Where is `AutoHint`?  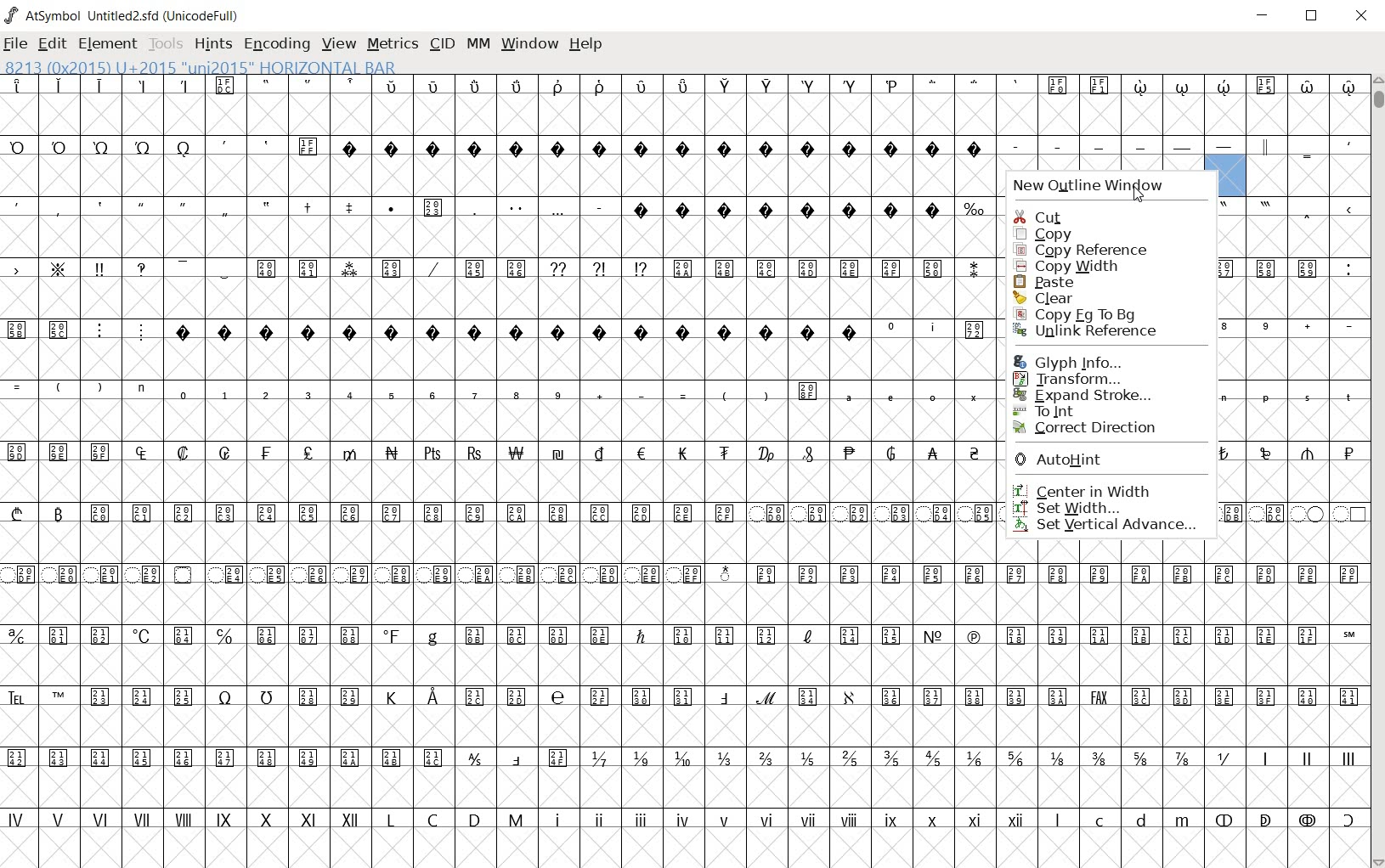
AutoHint is located at coordinates (1071, 461).